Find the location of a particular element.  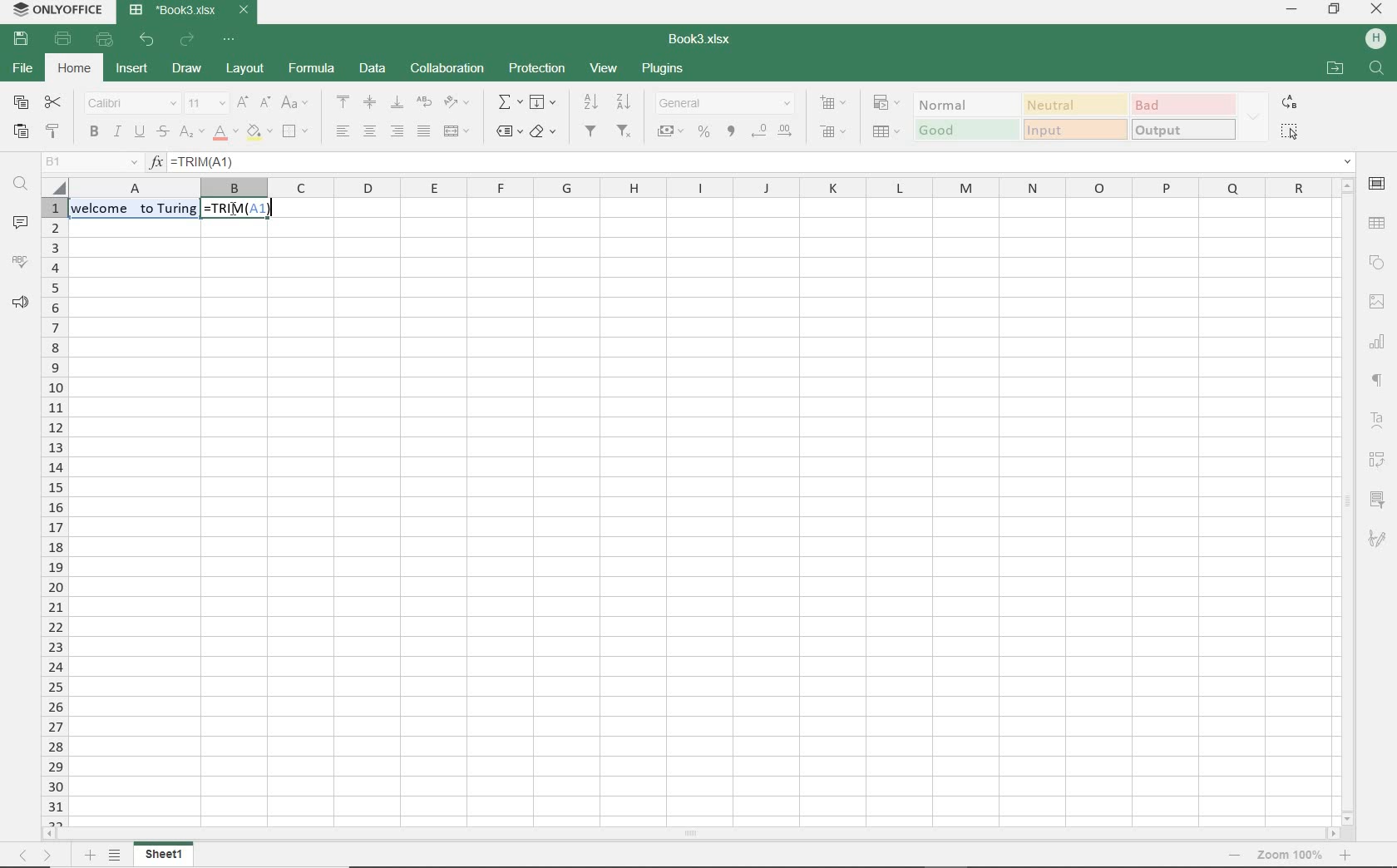

font is located at coordinates (130, 103).